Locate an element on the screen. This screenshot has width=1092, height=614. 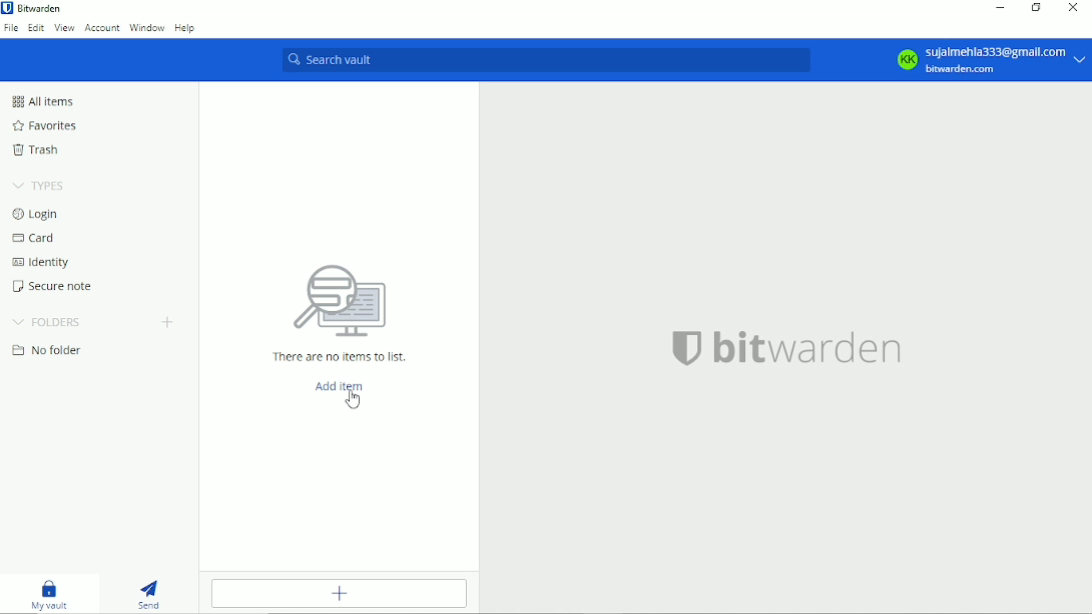
Trash is located at coordinates (35, 149).